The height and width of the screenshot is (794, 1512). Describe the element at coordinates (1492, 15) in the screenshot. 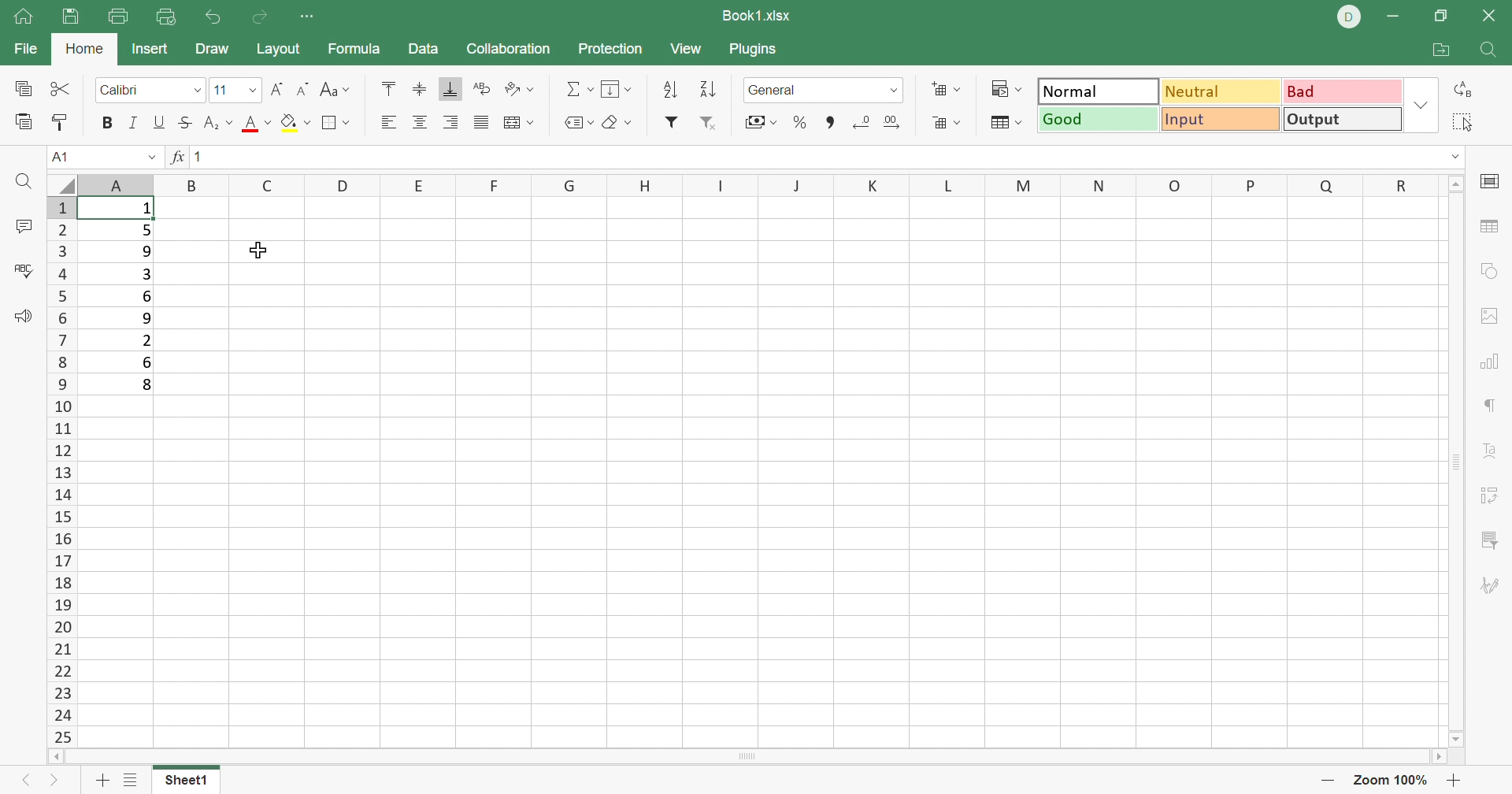

I see `Close` at that location.